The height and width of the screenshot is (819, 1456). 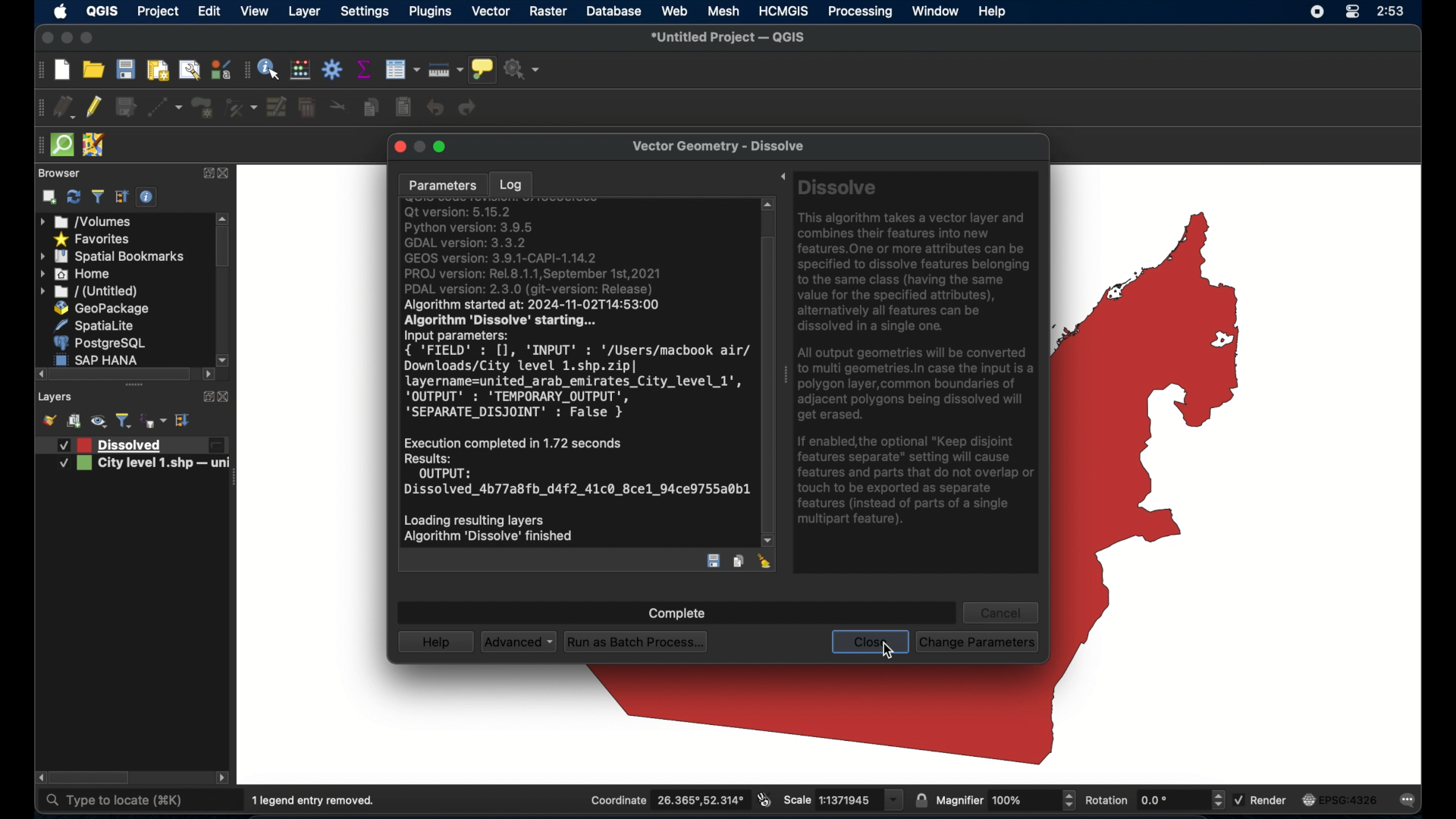 I want to click on messages, so click(x=1411, y=801).